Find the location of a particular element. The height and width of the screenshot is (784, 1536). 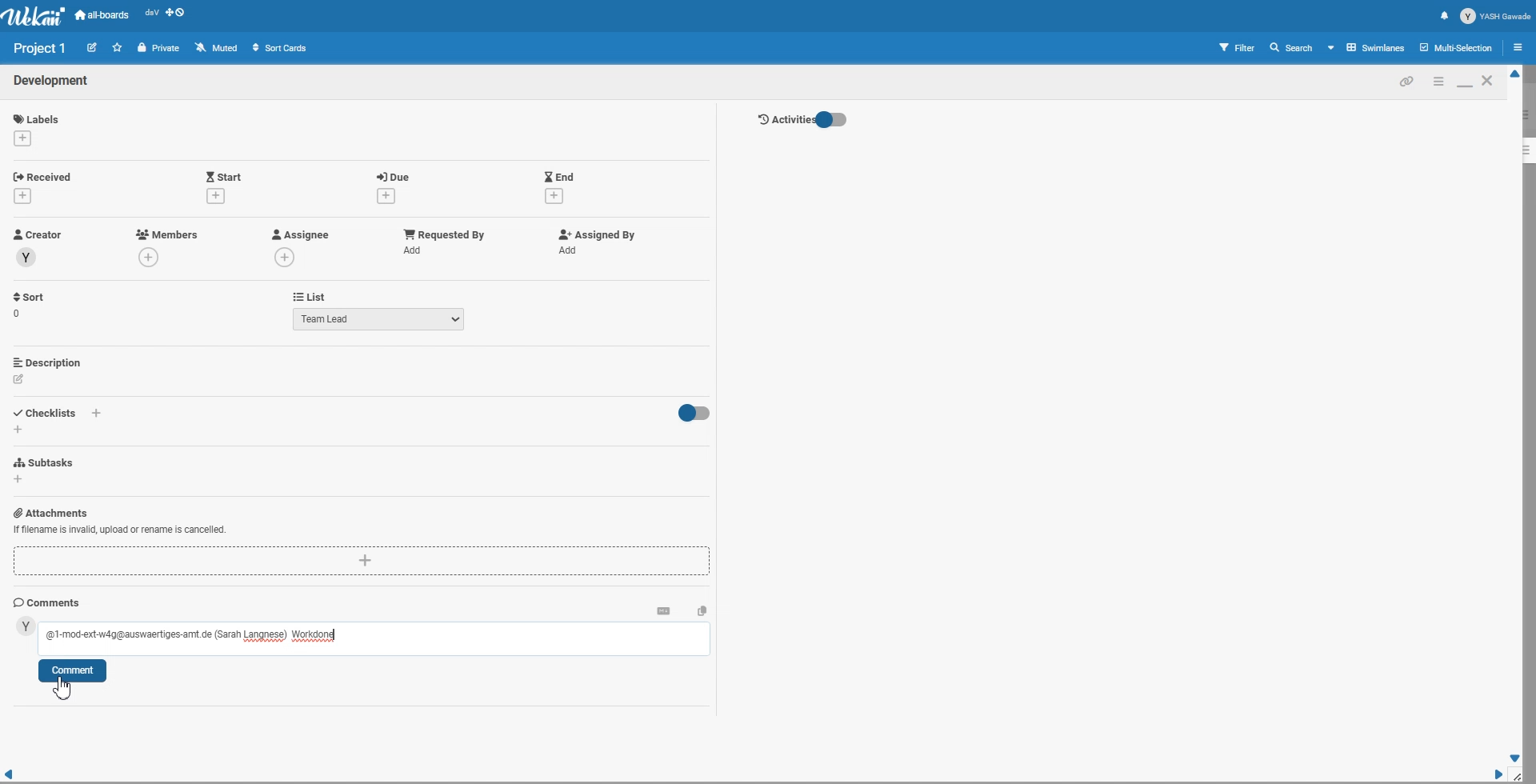

@!-mod-ext-wag@auswaertiges-amt de (Sarah Langnese) is located at coordinates (166, 635).